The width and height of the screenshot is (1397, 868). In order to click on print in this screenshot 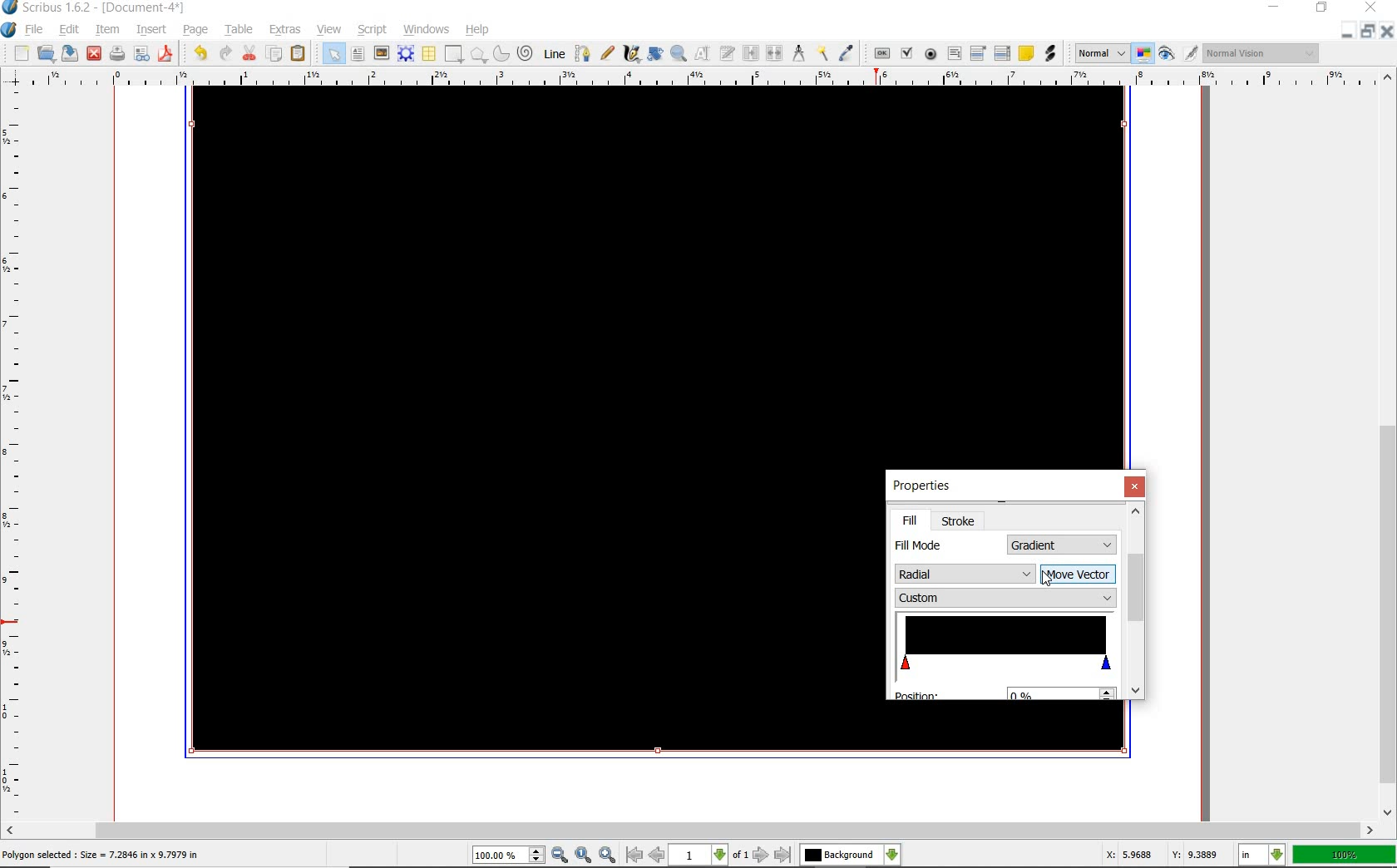, I will do `click(116, 54)`.